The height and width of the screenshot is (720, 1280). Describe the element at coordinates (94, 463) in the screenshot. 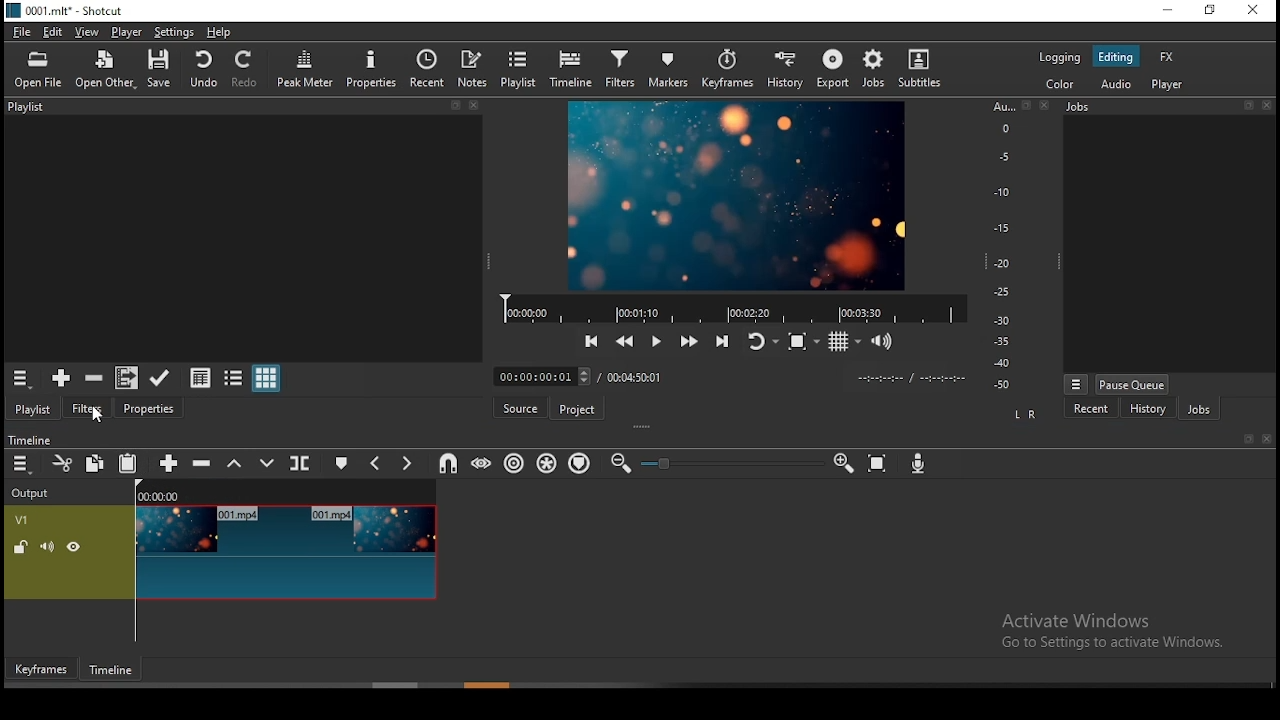

I see `copy` at that location.